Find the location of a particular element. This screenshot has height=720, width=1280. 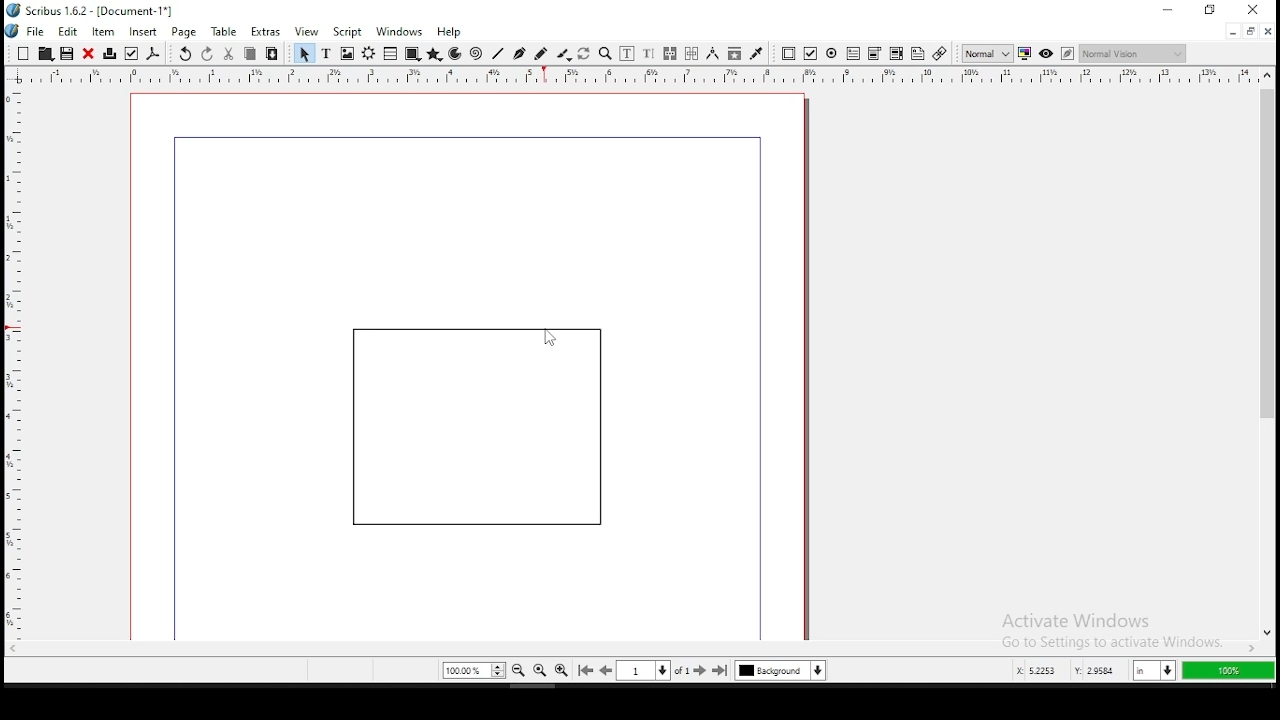

normal vision is located at coordinates (1133, 53).